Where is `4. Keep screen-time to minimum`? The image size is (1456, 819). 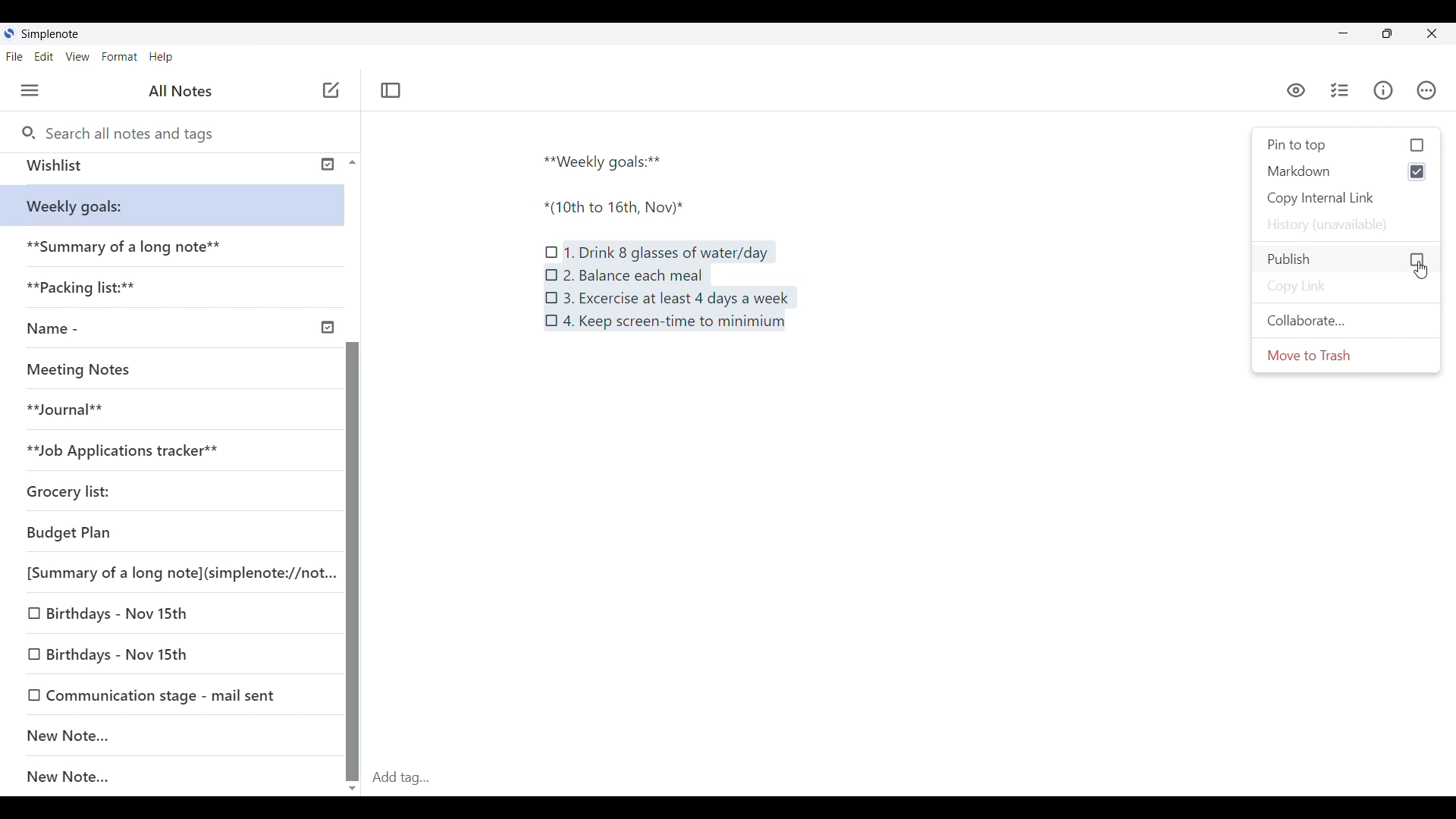
4. Keep screen-time to minimum is located at coordinates (679, 326).